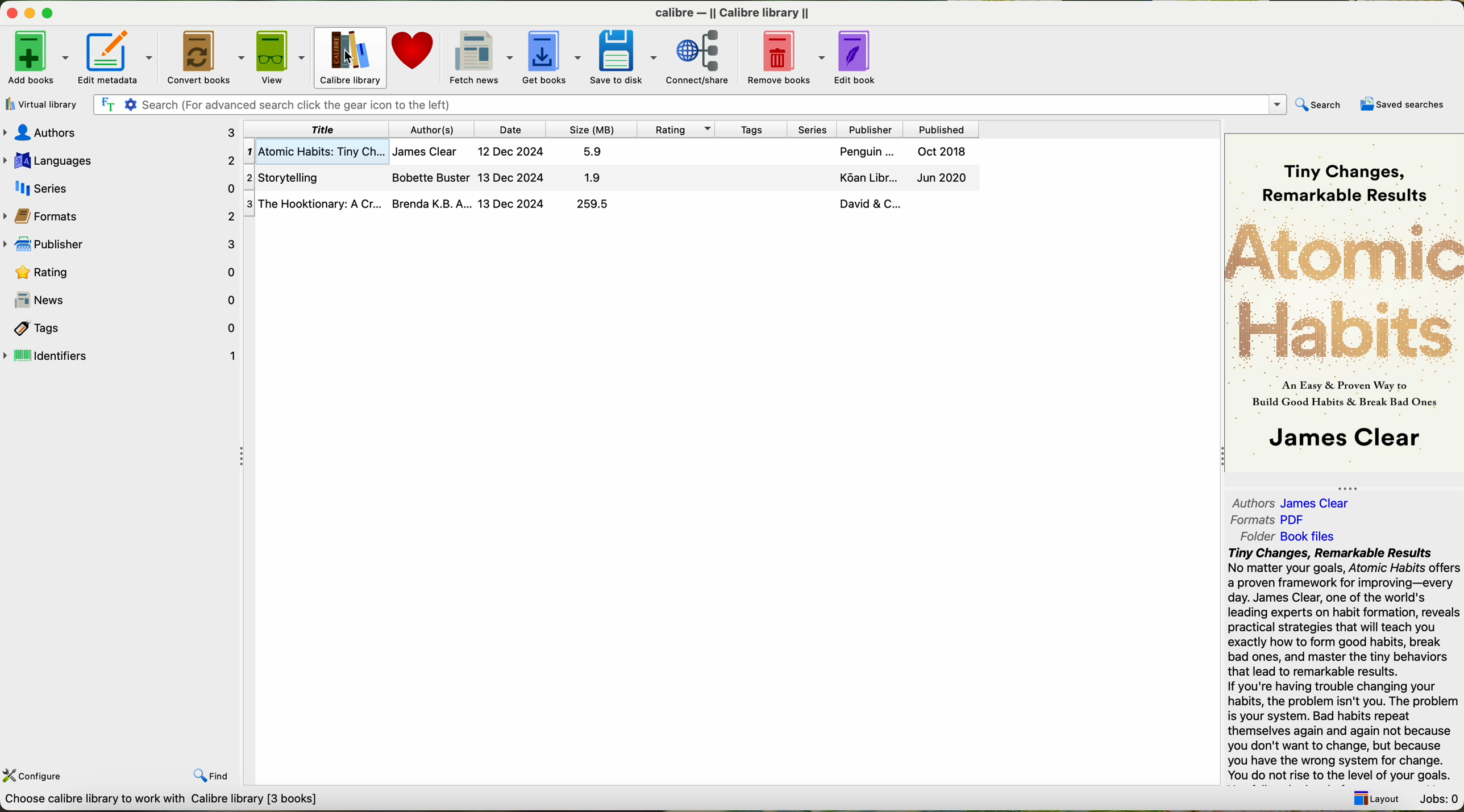 This screenshot has height=812, width=1464. What do you see at coordinates (55, 14) in the screenshot?
I see `maximize program` at bounding box center [55, 14].